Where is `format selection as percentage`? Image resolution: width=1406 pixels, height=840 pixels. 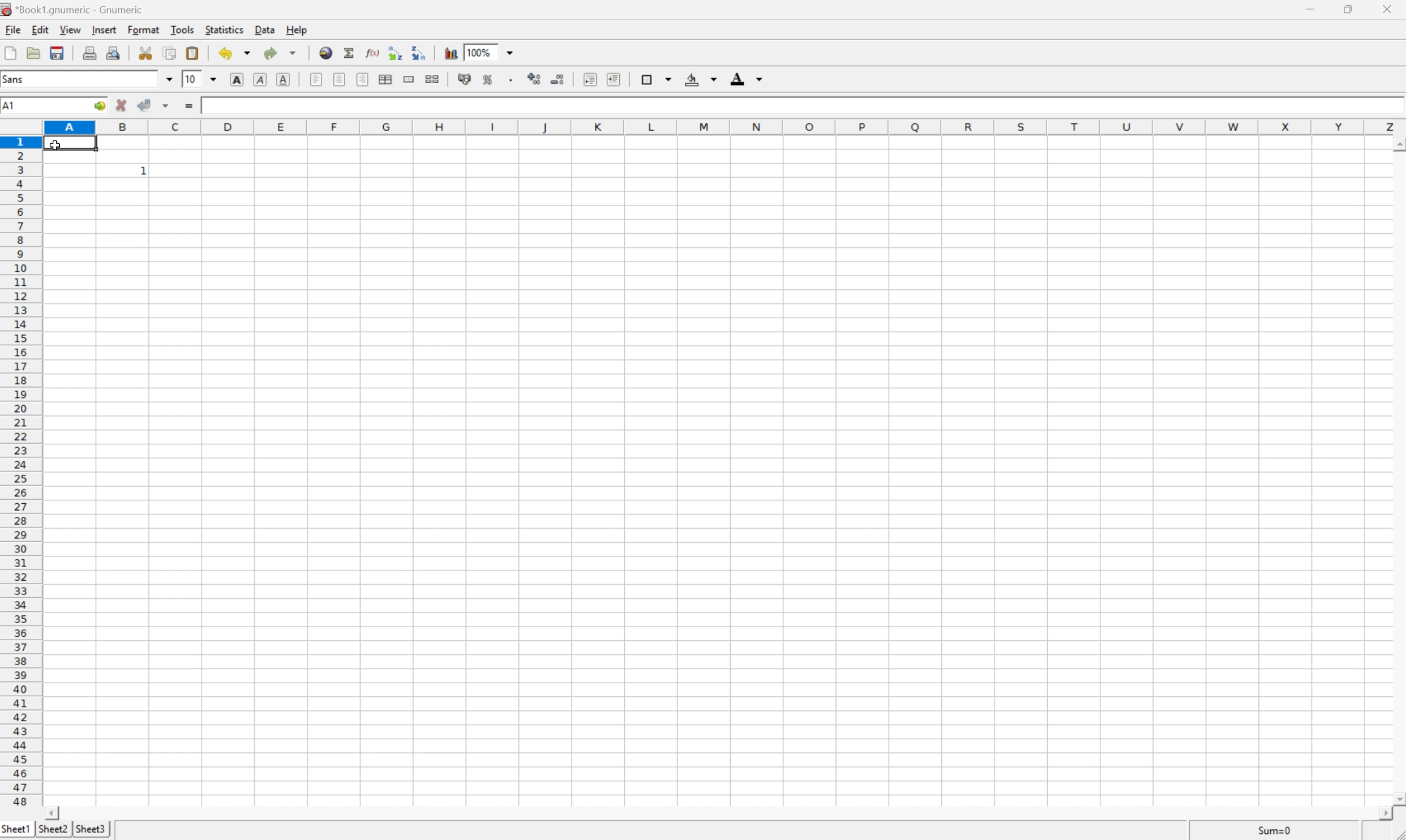 format selection as percentage is located at coordinates (490, 79).